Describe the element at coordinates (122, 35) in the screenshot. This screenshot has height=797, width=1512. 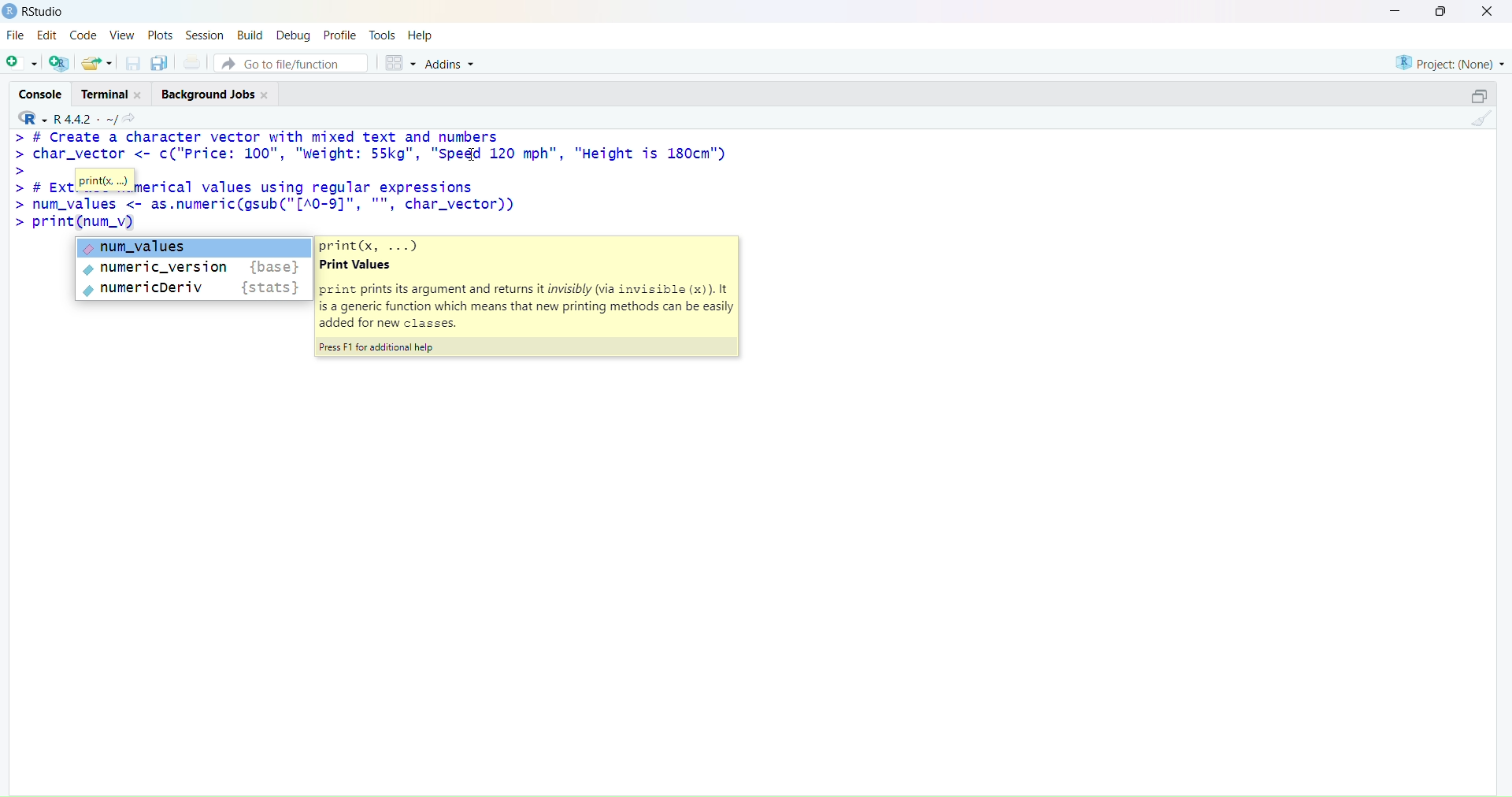
I see `view` at that location.